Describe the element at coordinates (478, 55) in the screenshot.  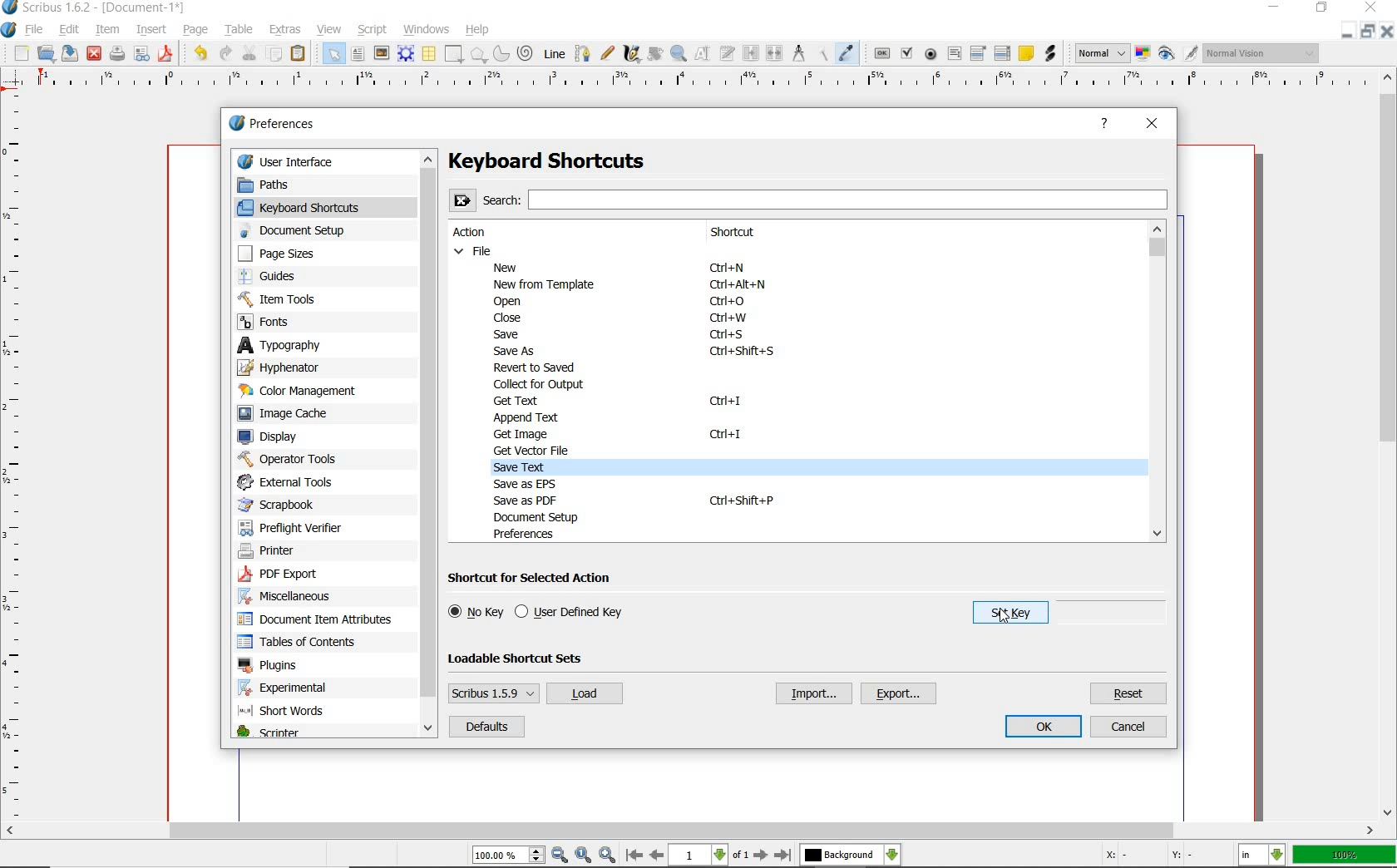
I see `polygon` at that location.